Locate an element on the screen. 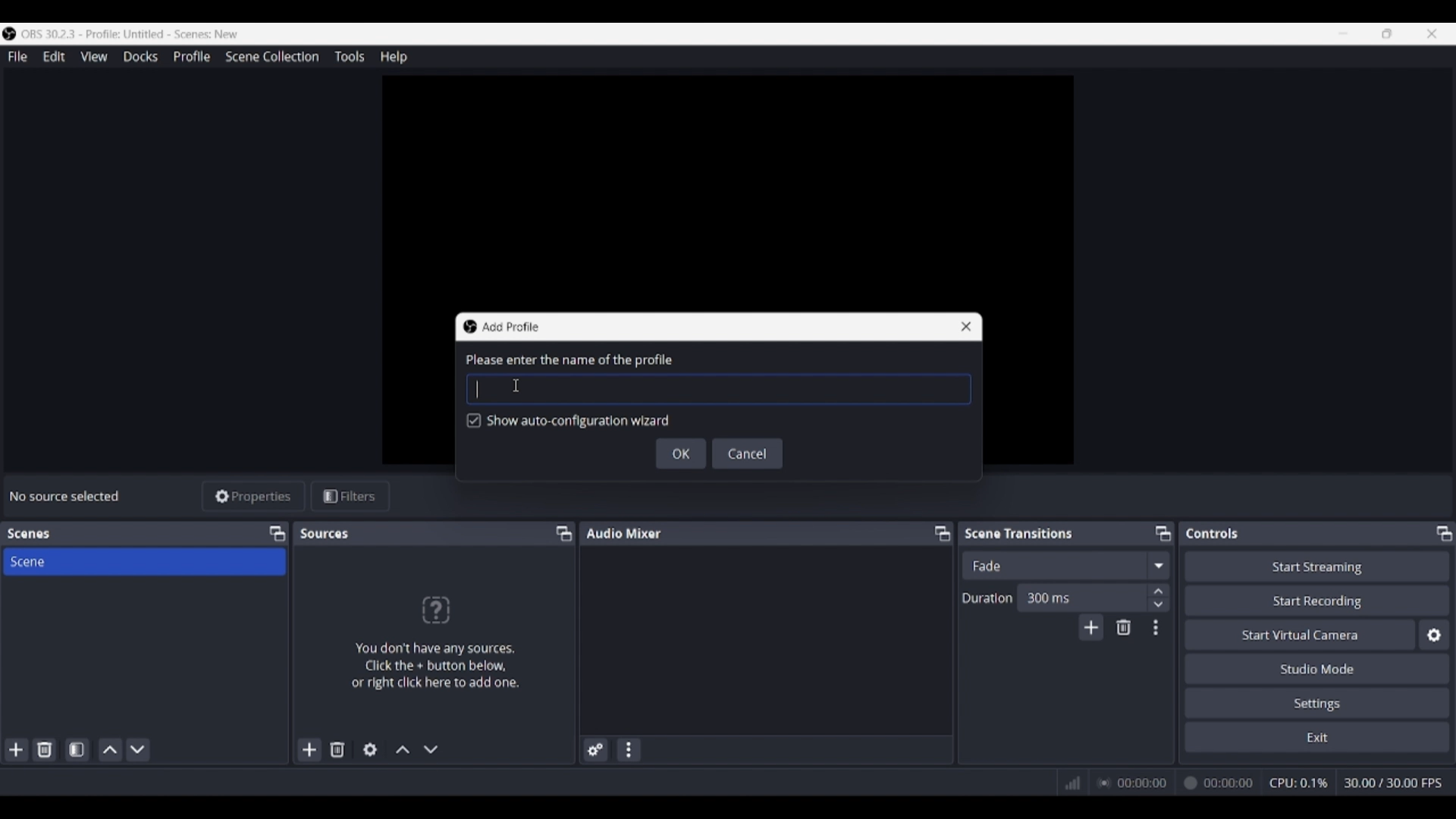  Settings is located at coordinates (1318, 702).